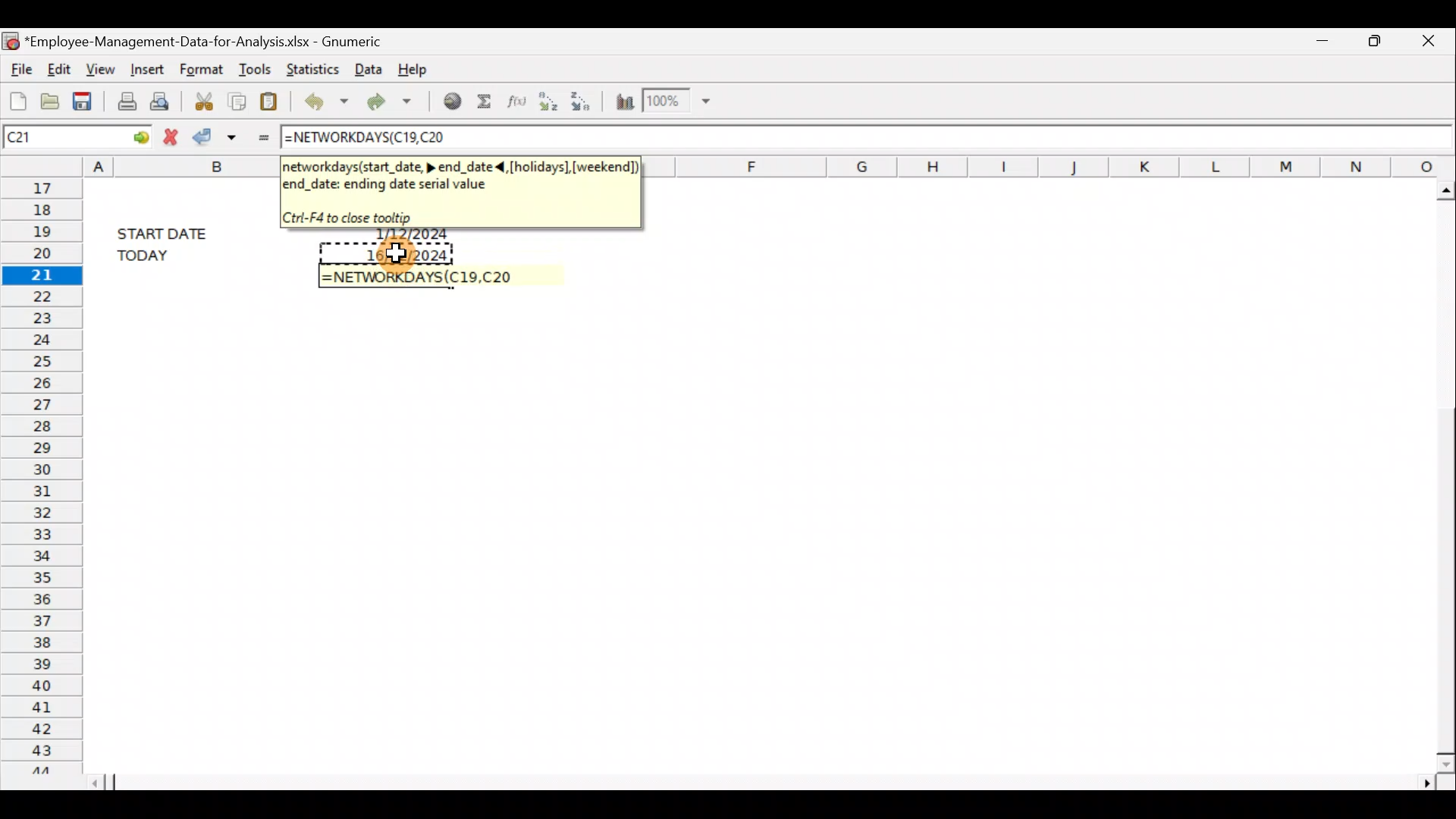  I want to click on Undo last action, so click(323, 99).